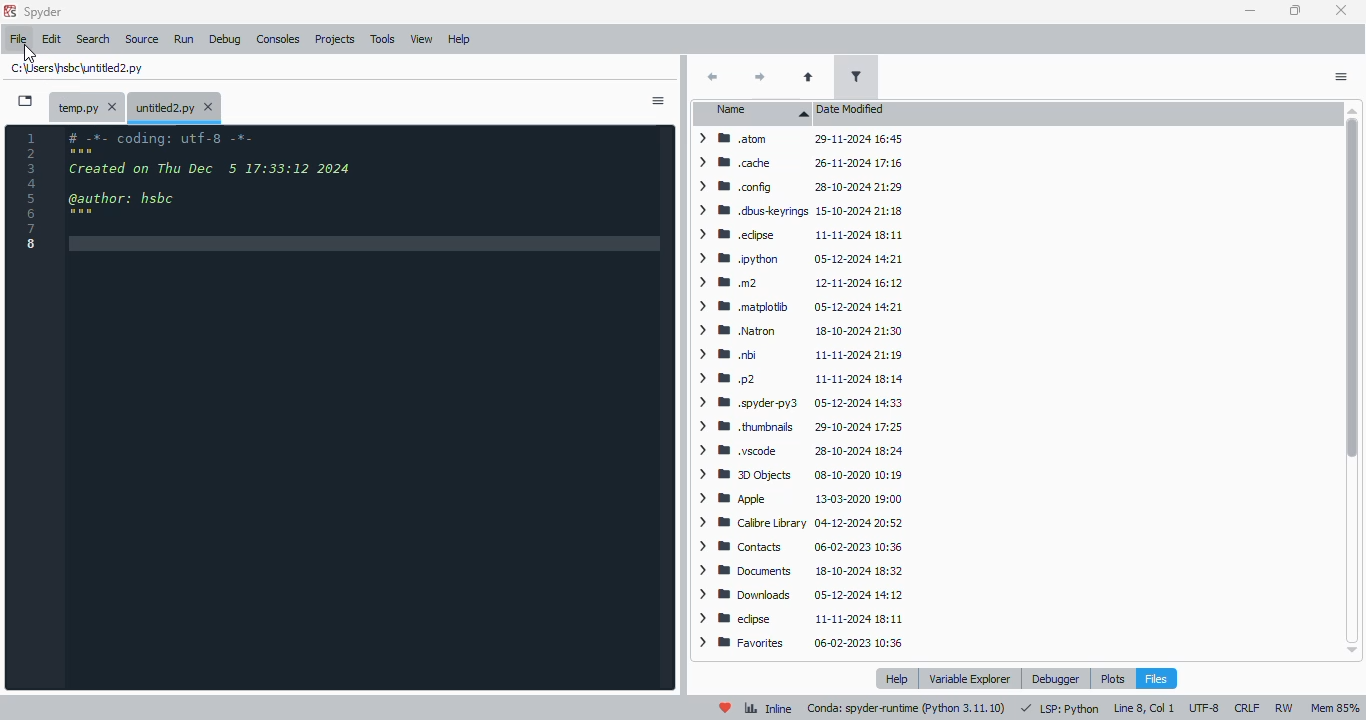 This screenshot has width=1366, height=720. I want to click on variable explorer, so click(971, 678).